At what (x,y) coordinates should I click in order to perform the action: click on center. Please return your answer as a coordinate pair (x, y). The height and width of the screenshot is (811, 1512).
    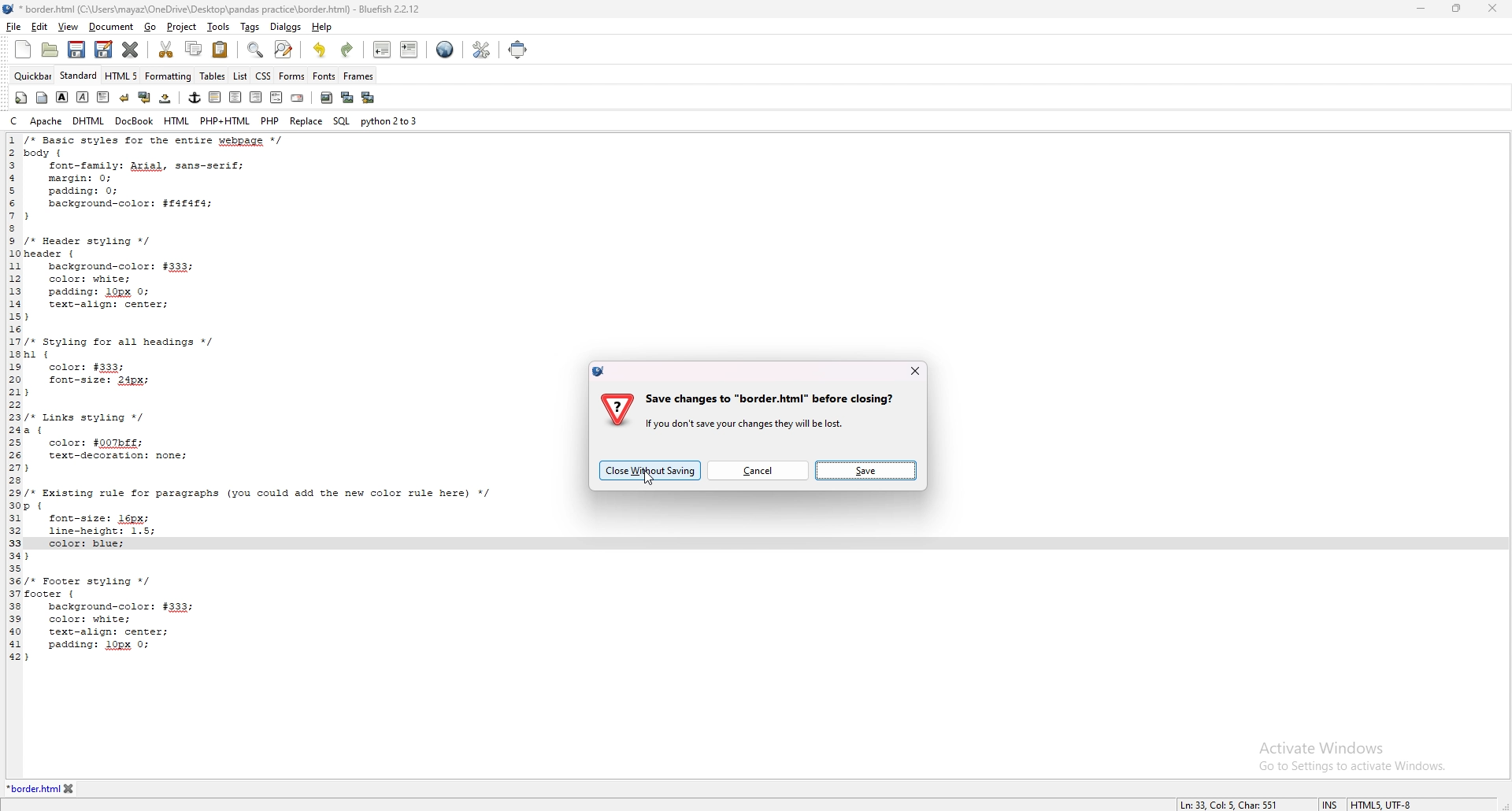
    Looking at the image, I should click on (237, 98).